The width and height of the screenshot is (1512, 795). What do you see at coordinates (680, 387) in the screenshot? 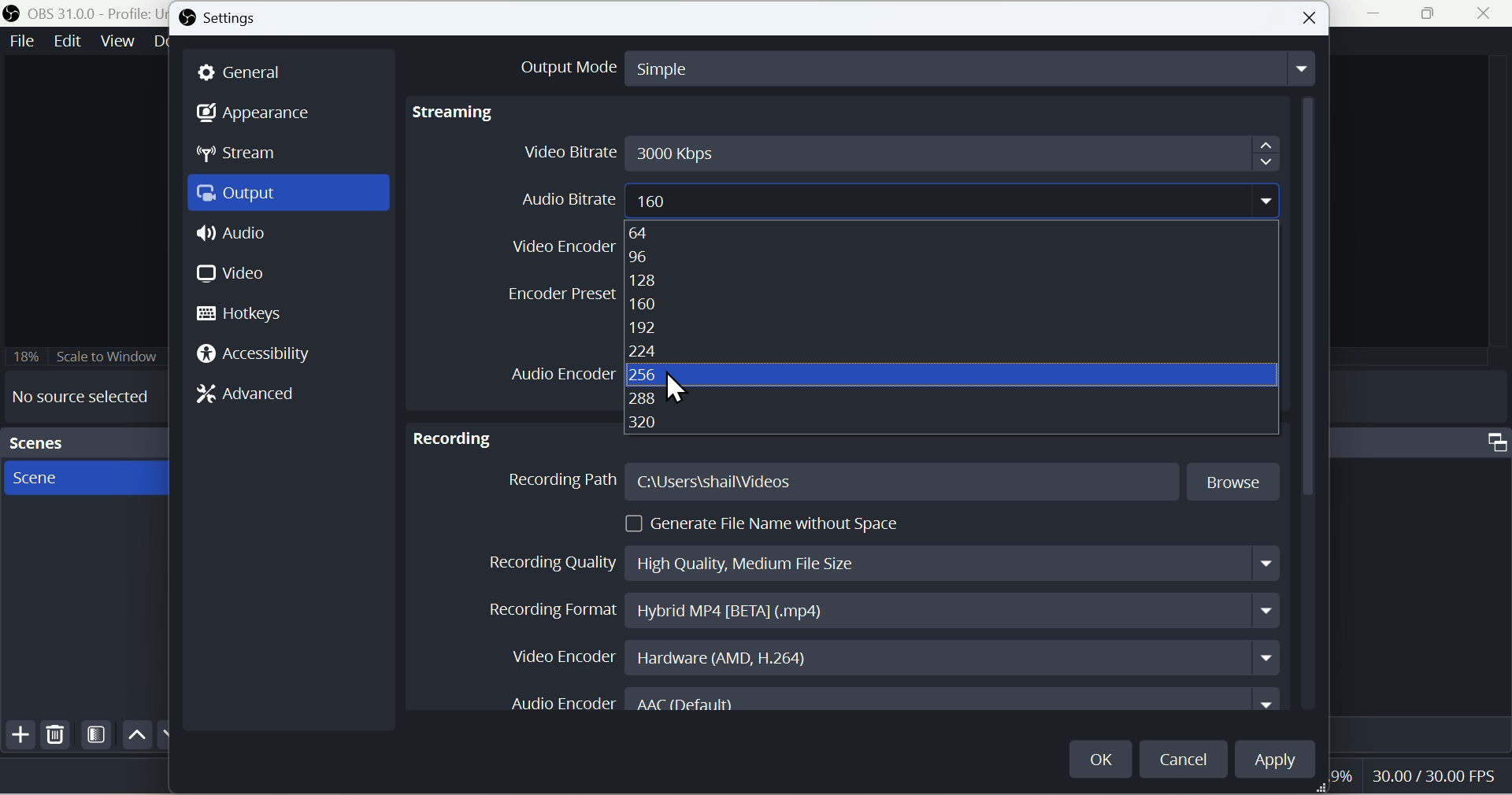
I see `Mouse` at bounding box center [680, 387].